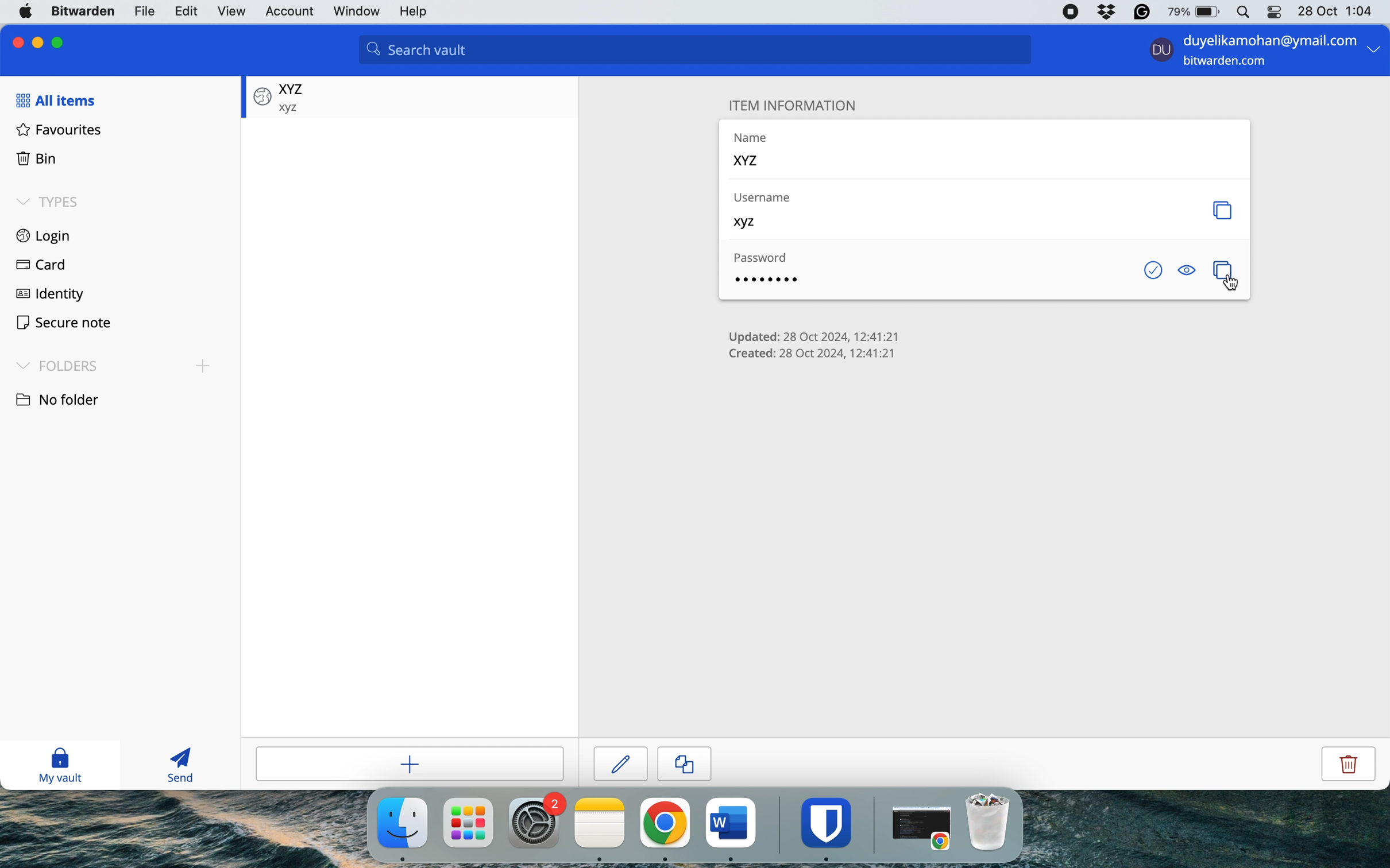 This screenshot has height=868, width=1390. What do you see at coordinates (233, 10) in the screenshot?
I see `view` at bounding box center [233, 10].